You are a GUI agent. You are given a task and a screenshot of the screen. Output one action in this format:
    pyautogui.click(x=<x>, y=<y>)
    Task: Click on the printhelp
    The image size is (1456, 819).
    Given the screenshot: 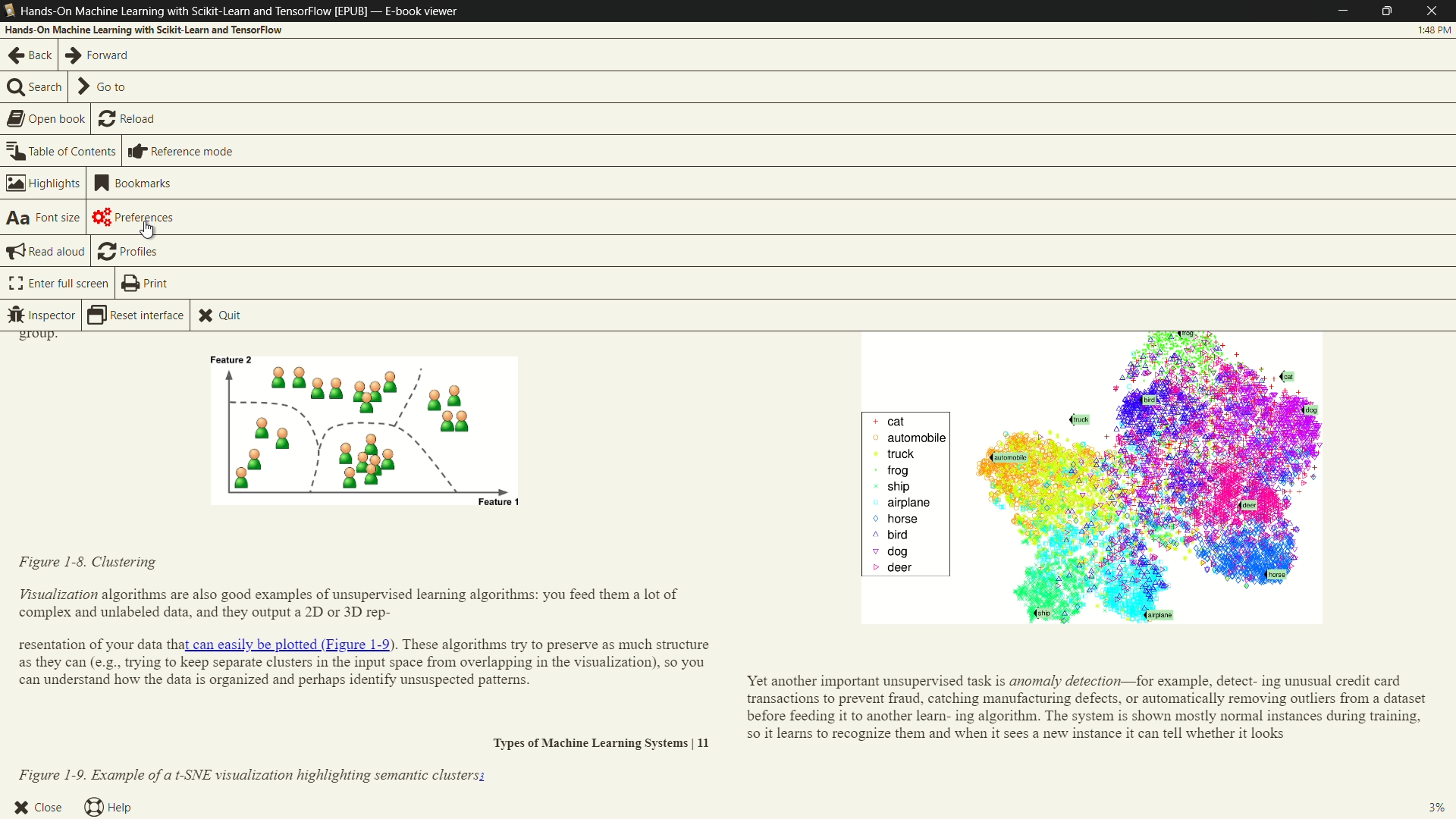 What is the action you would take?
    pyautogui.click(x=143, y=284)
    